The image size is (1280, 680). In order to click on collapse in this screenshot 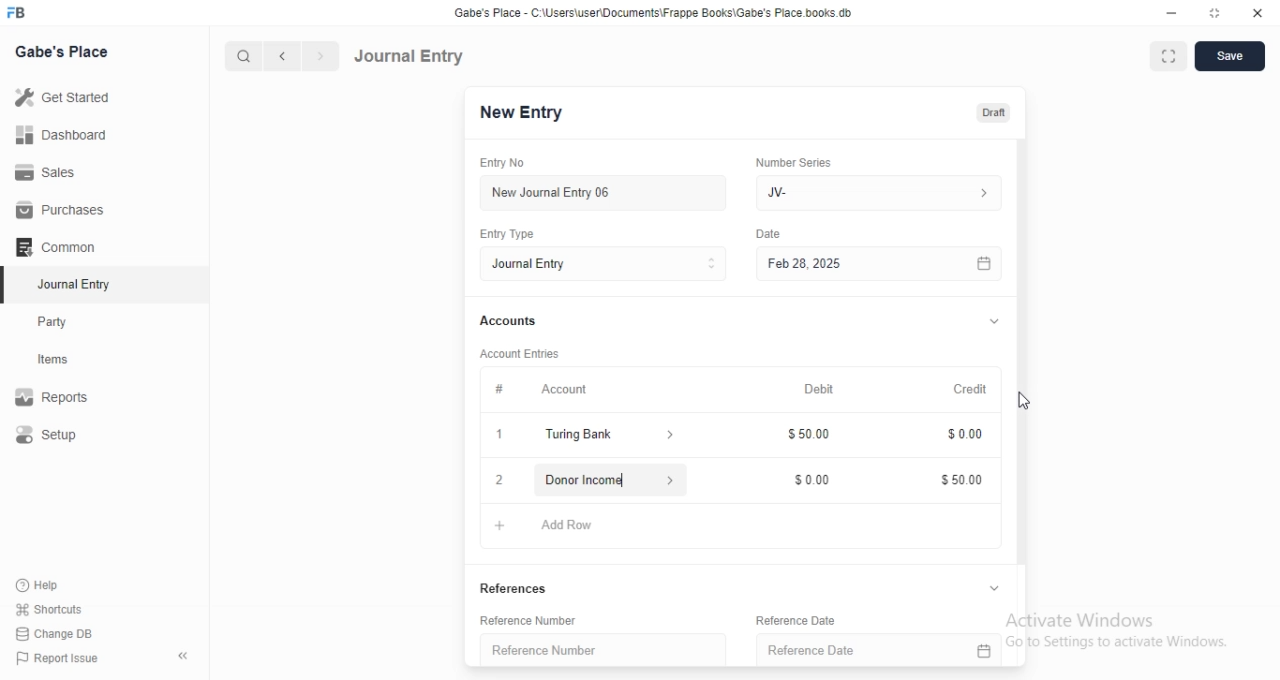, I will do `click(995, 588)`.